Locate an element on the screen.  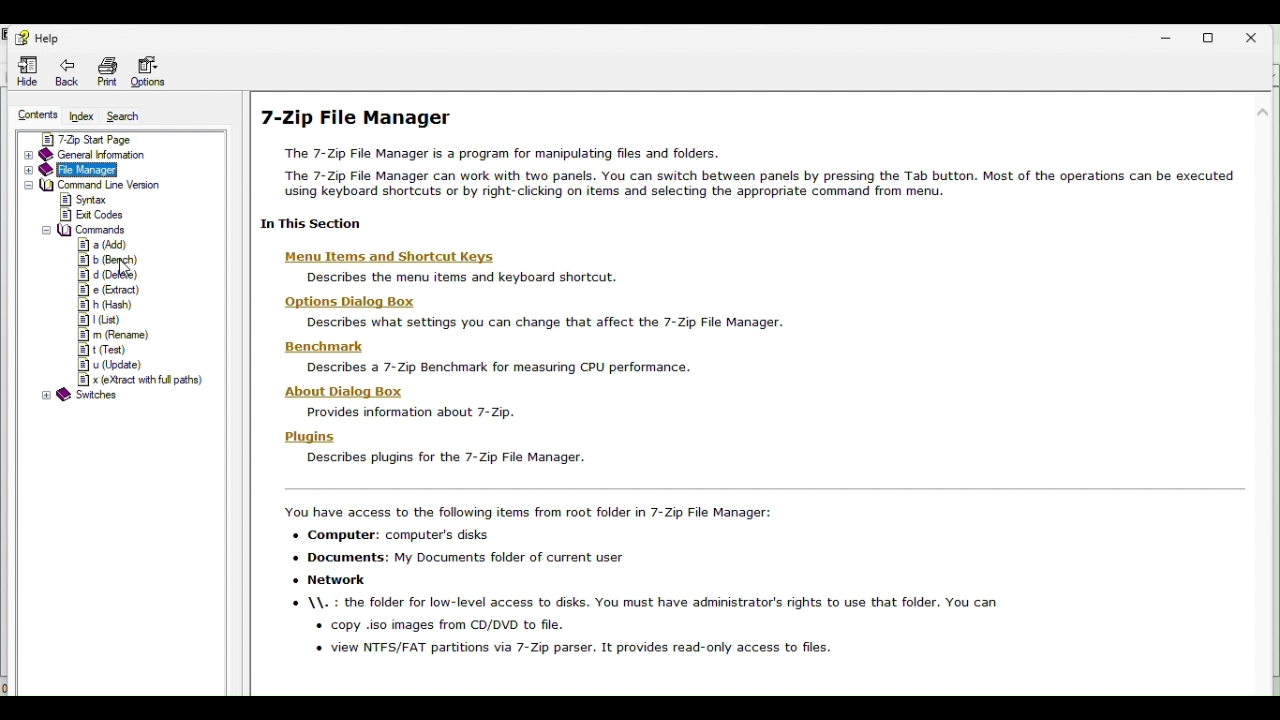
Describes what settings you can change that affect the 7-Zip File Manager. is located at coordinates (537, 323).